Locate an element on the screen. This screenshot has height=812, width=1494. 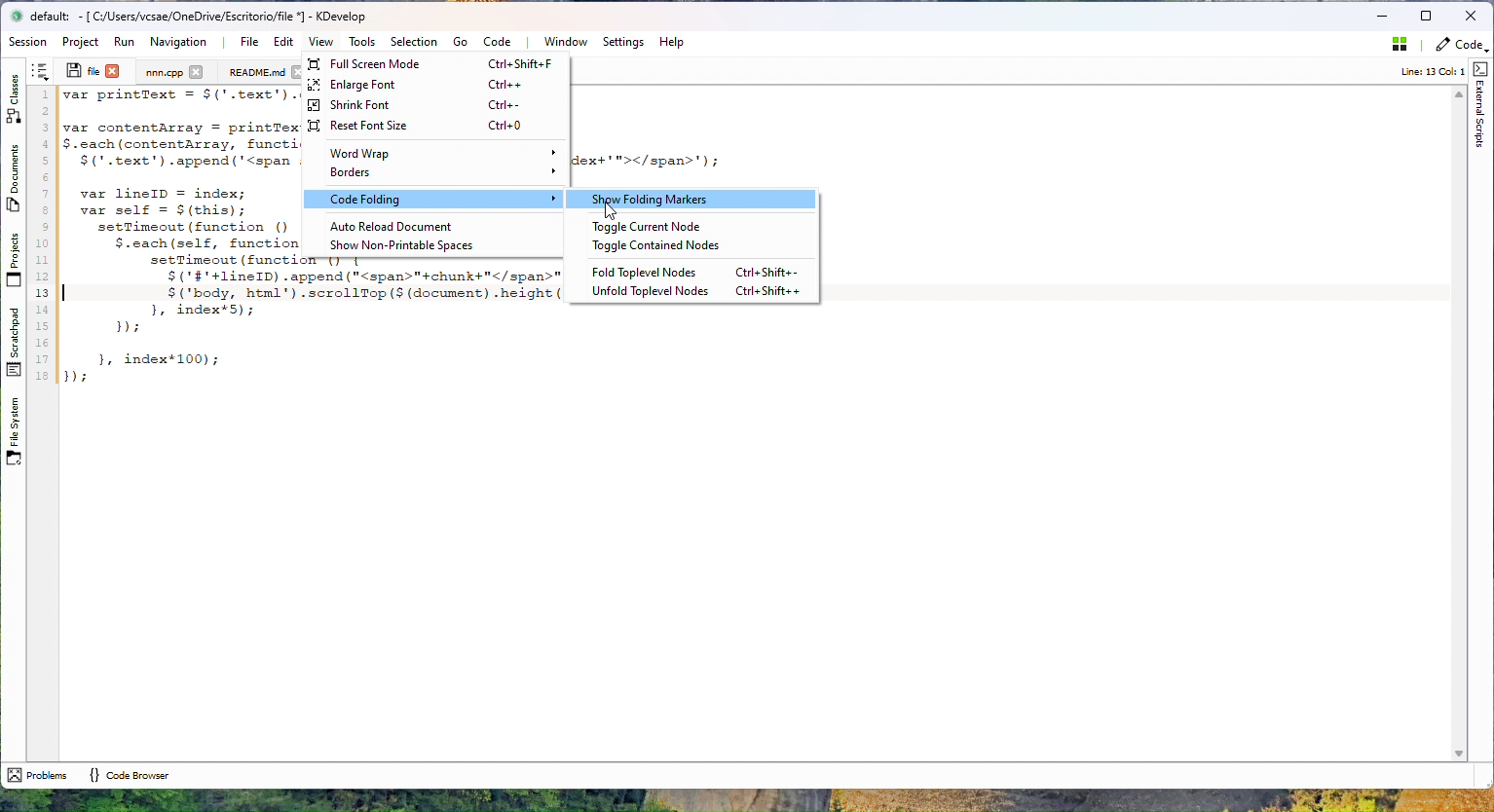
Code is located at coordinates (501, 41).